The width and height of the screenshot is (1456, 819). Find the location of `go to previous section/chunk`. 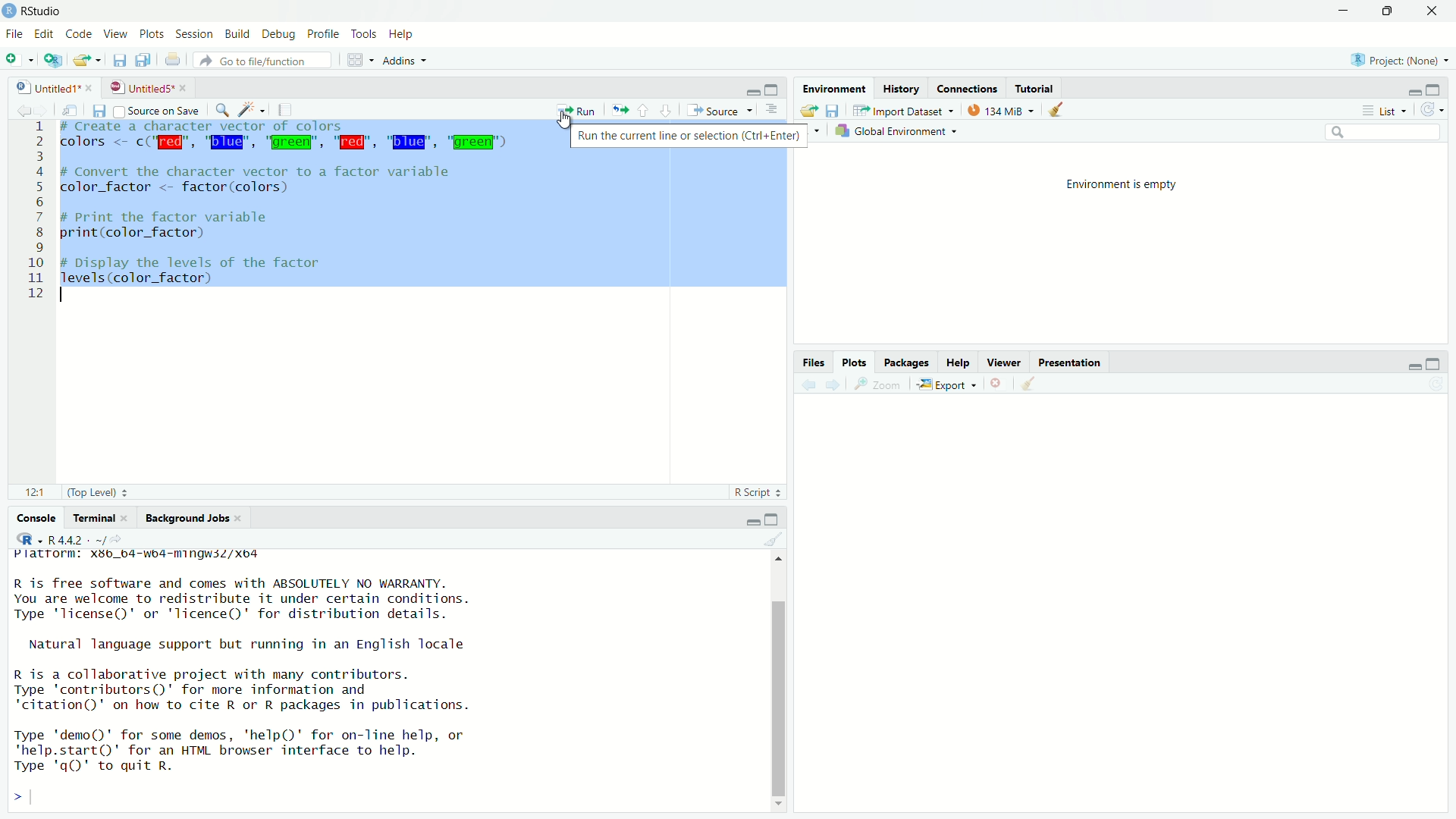

go to previous section/chunk is located at coordinates (645, 111).